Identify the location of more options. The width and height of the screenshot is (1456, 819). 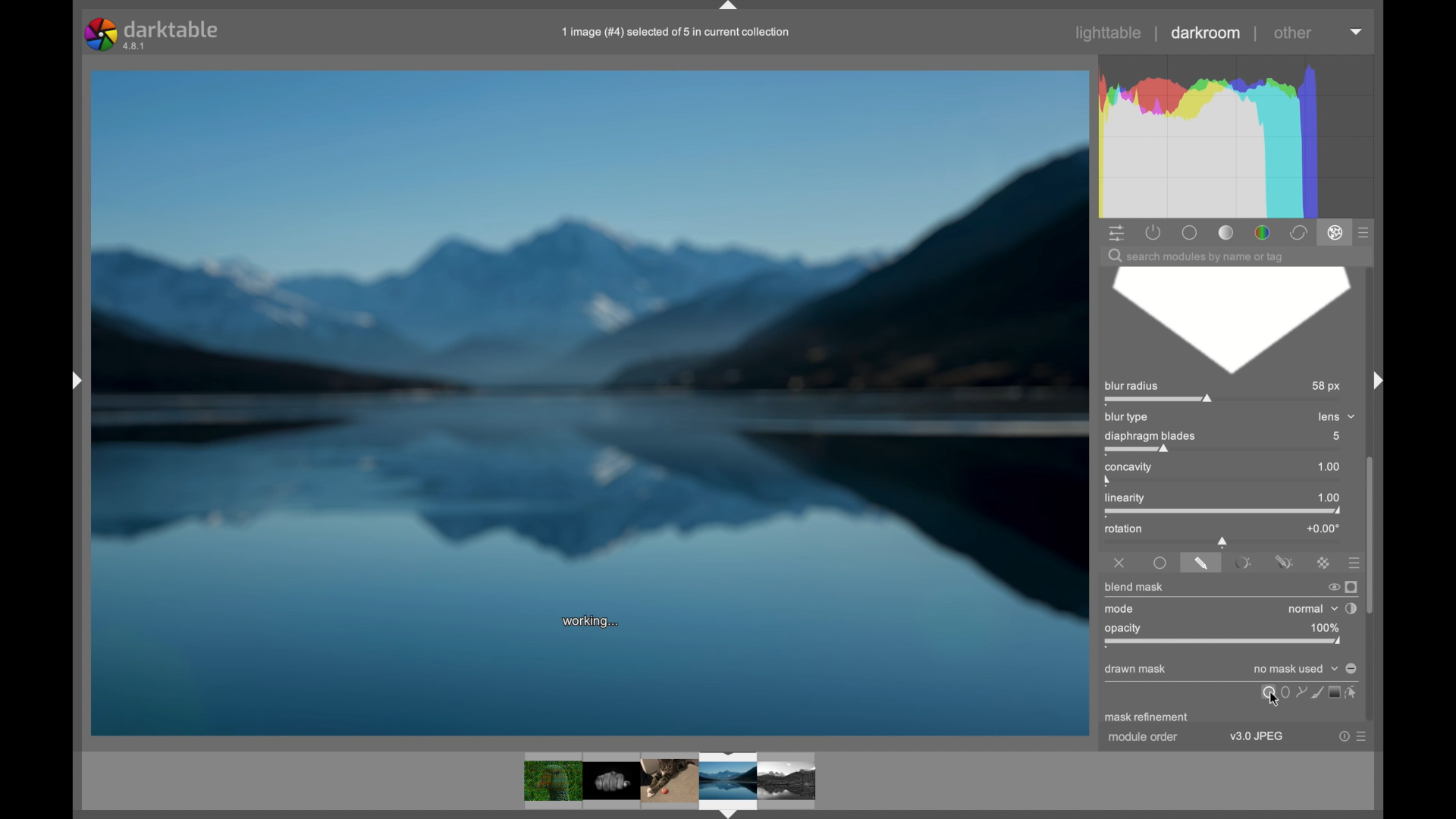
(1360, 738).